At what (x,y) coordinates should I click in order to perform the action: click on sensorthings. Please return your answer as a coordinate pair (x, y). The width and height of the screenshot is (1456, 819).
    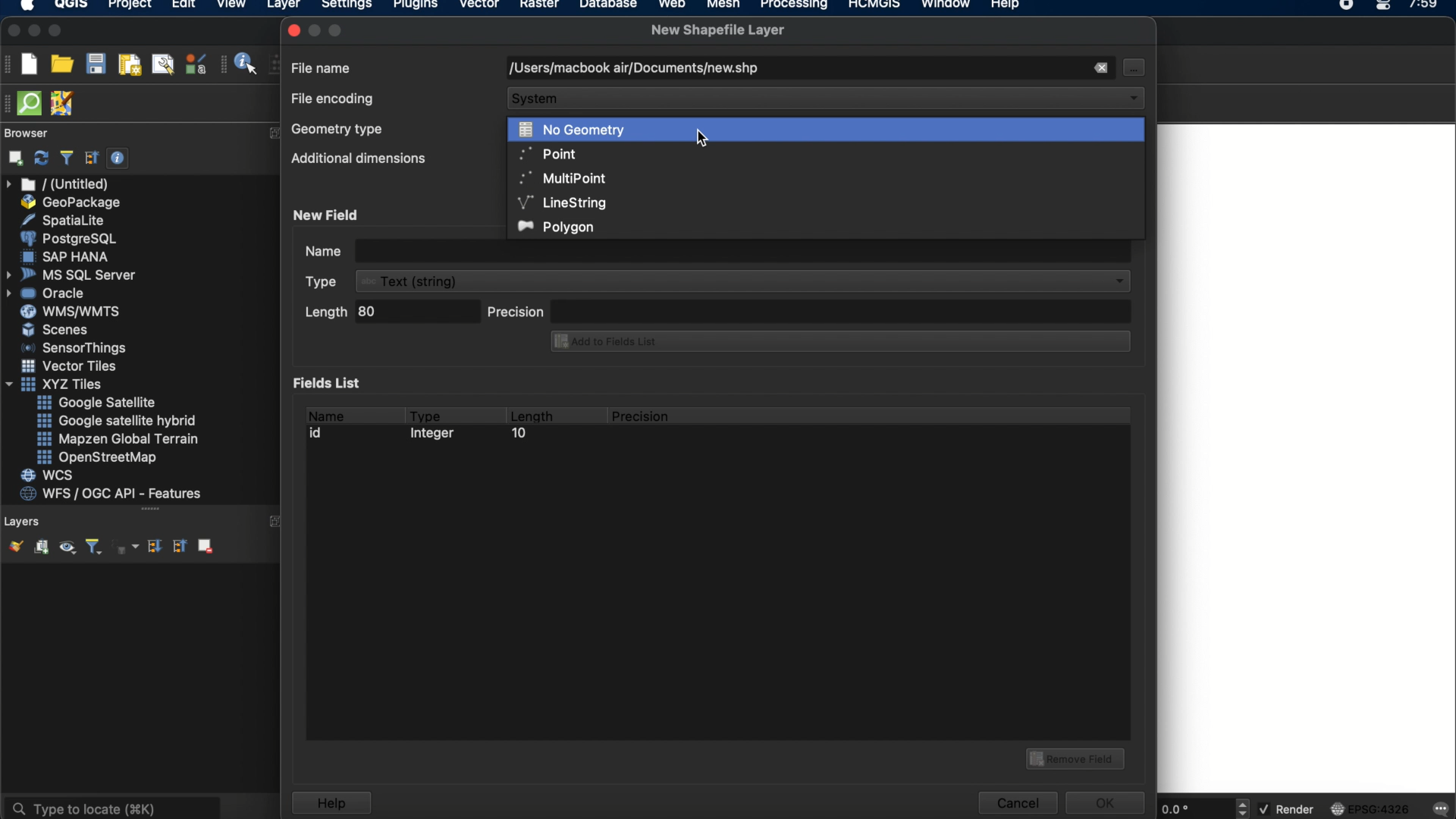
    Looking at the image, I should click on (74, 348).